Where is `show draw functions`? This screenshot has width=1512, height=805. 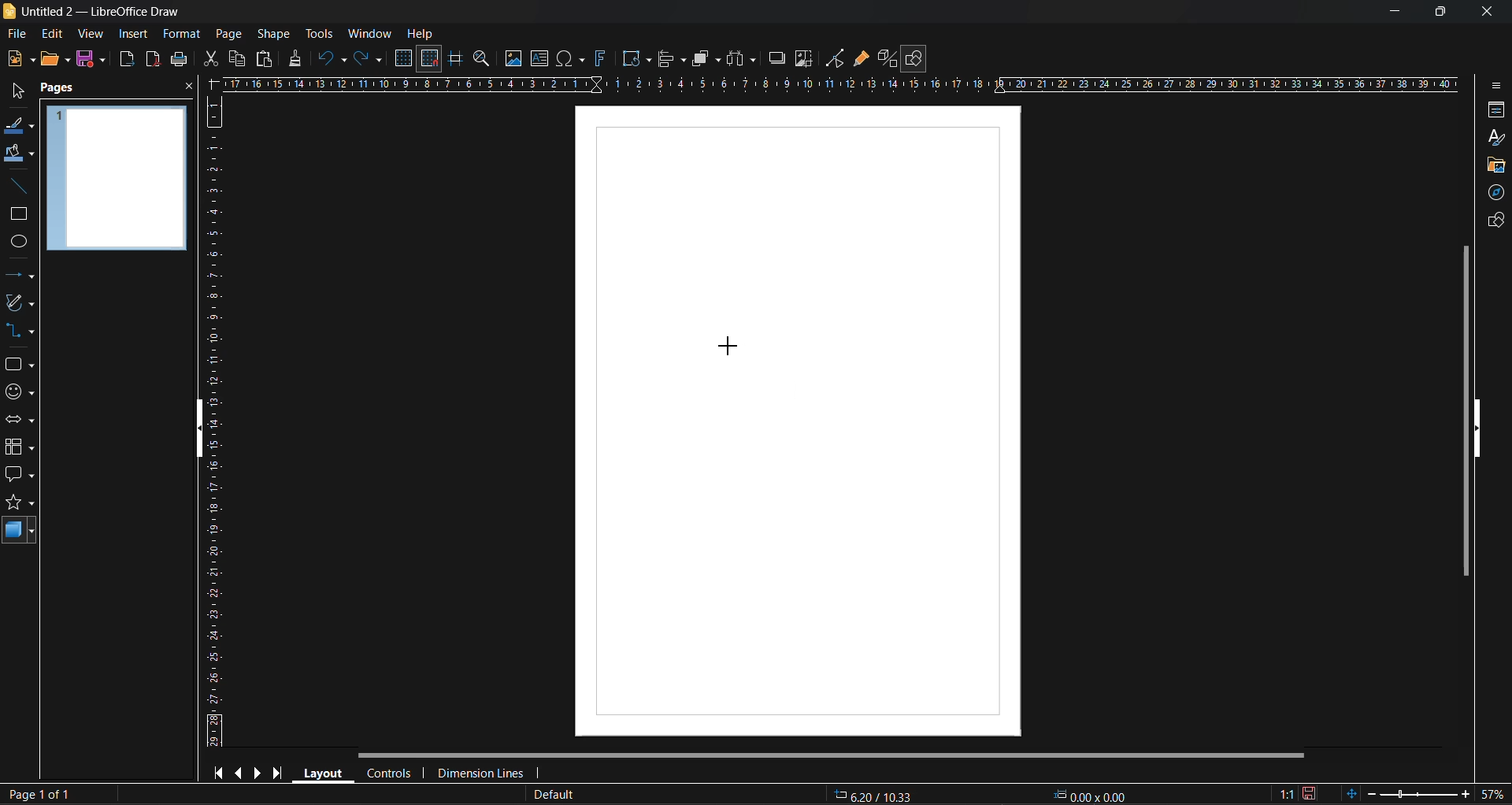 show draw functions is located at coordinates (917, 59).